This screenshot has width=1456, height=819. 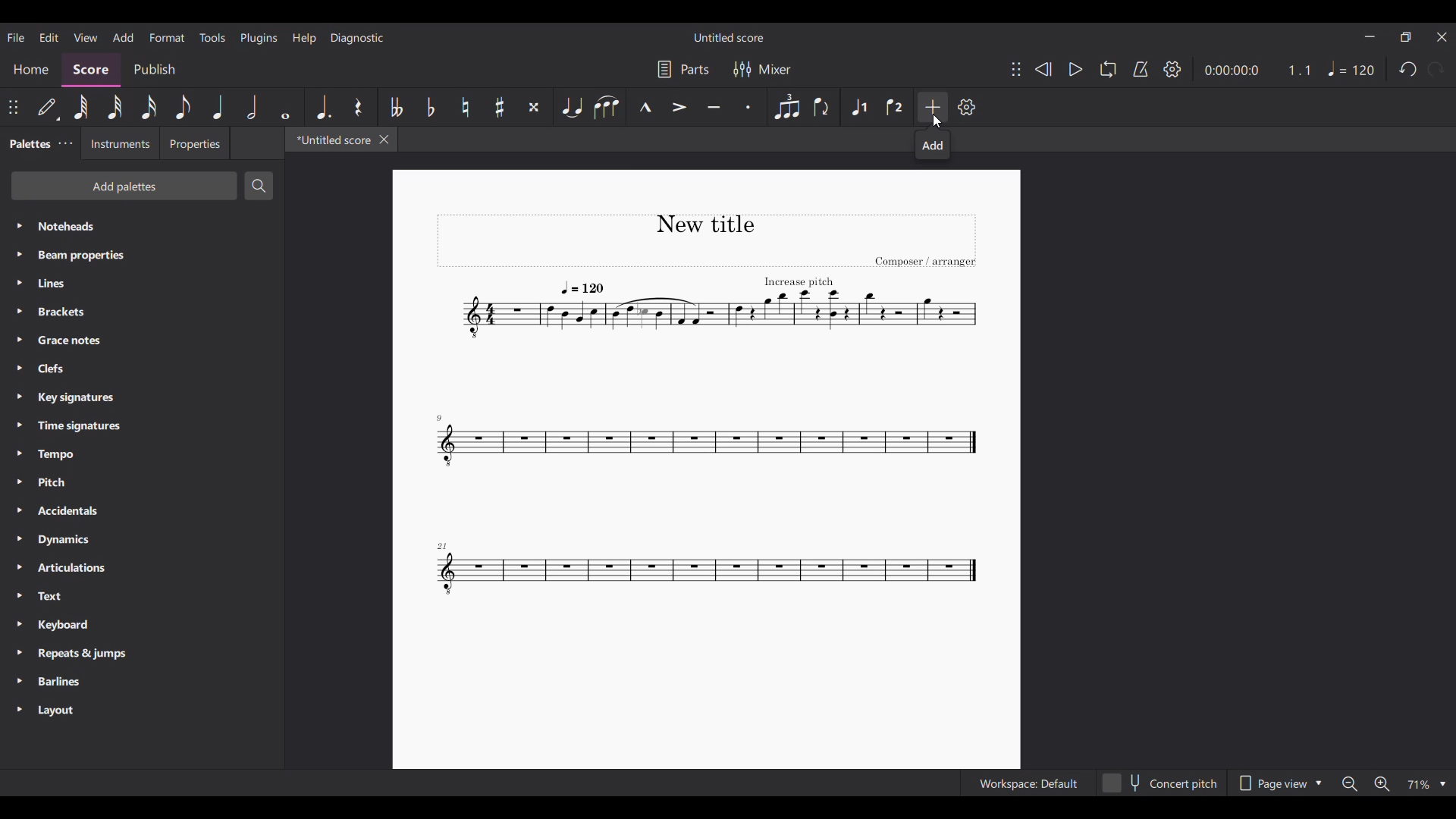 I want to click on Home section, so click(x=30, y=70).